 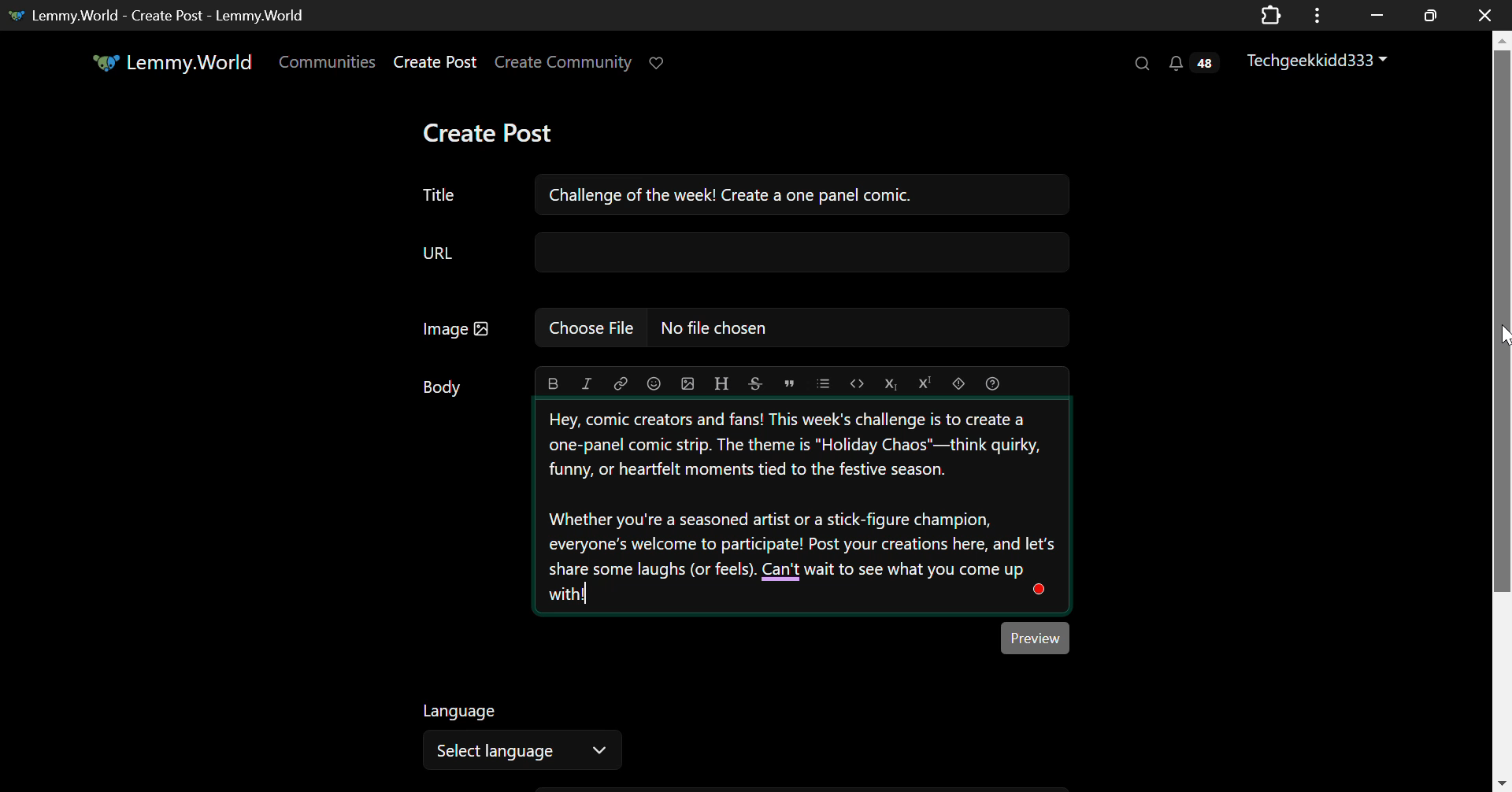 I want to click on Superscript, so click(x=925, y=383).